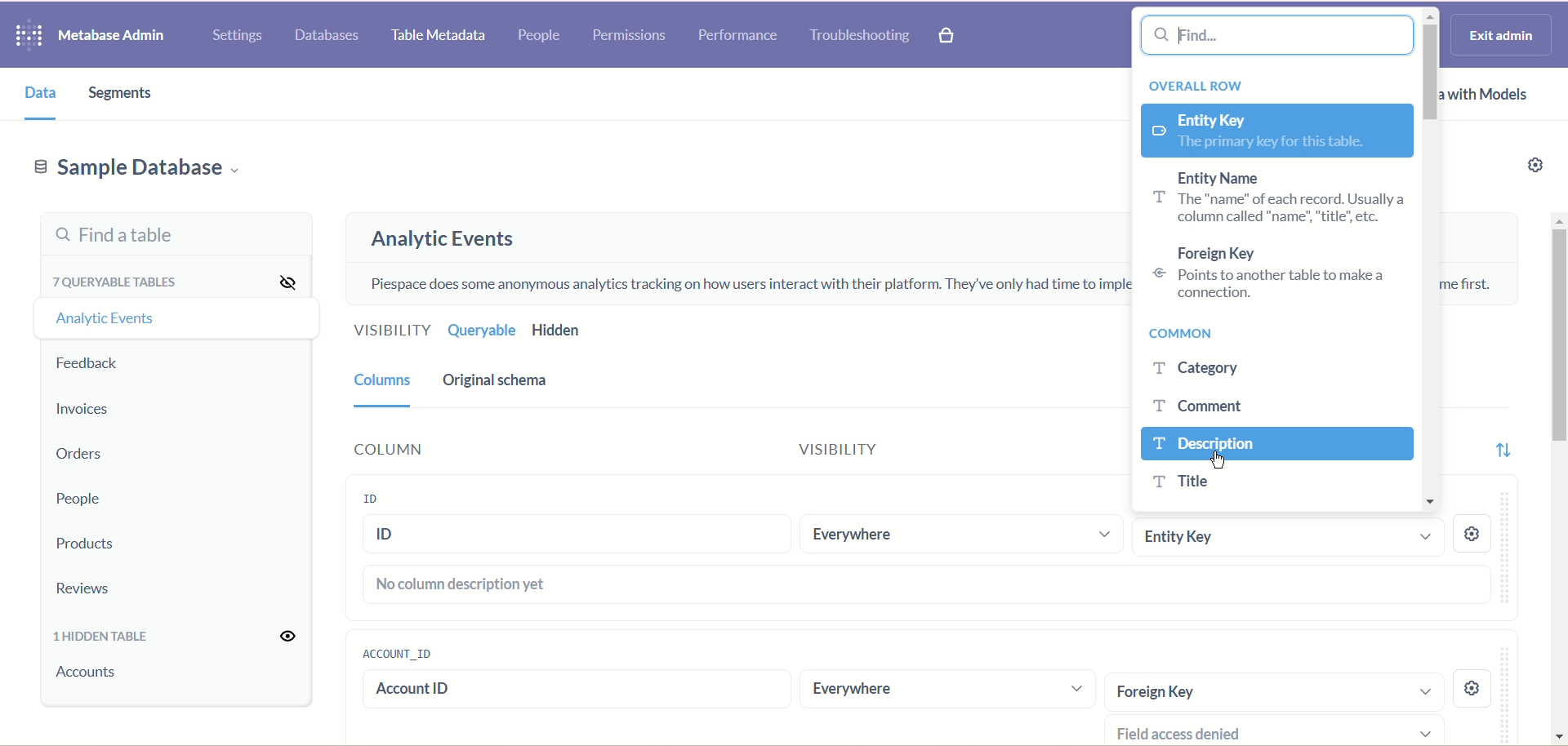  I want to click on queryable, so click(482, 330).